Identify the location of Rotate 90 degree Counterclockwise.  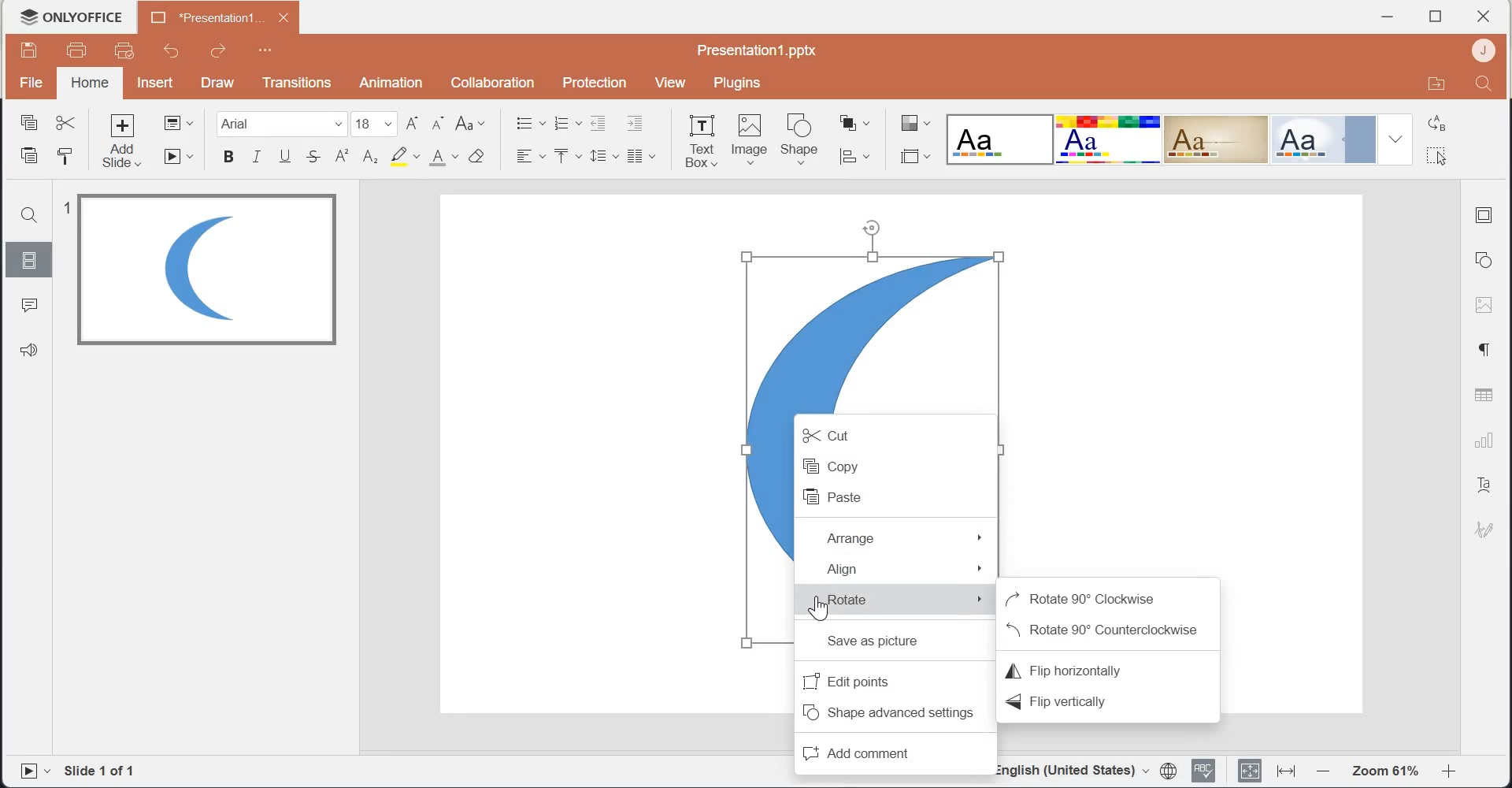
(1106, 630).